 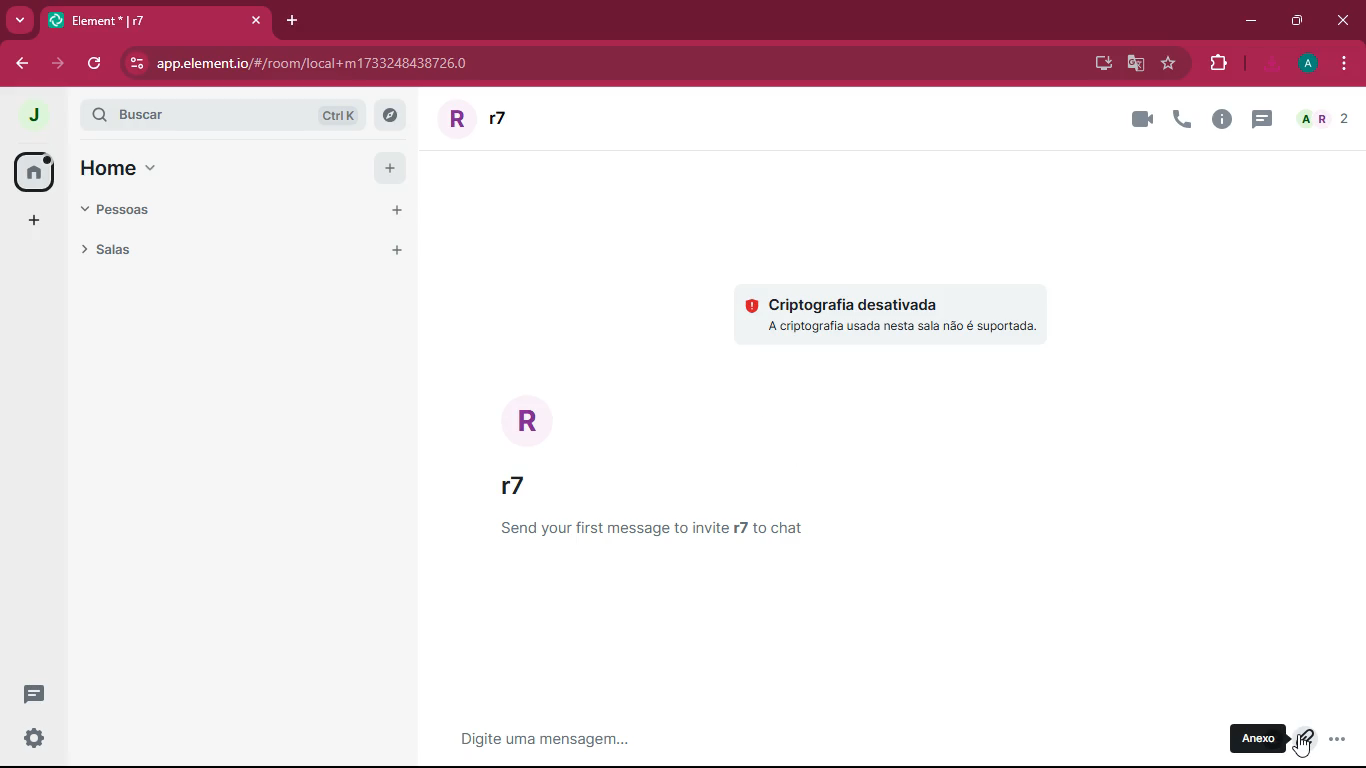 I want to click on send your first message to invite r7 to chat, so click(x=668, y=529).